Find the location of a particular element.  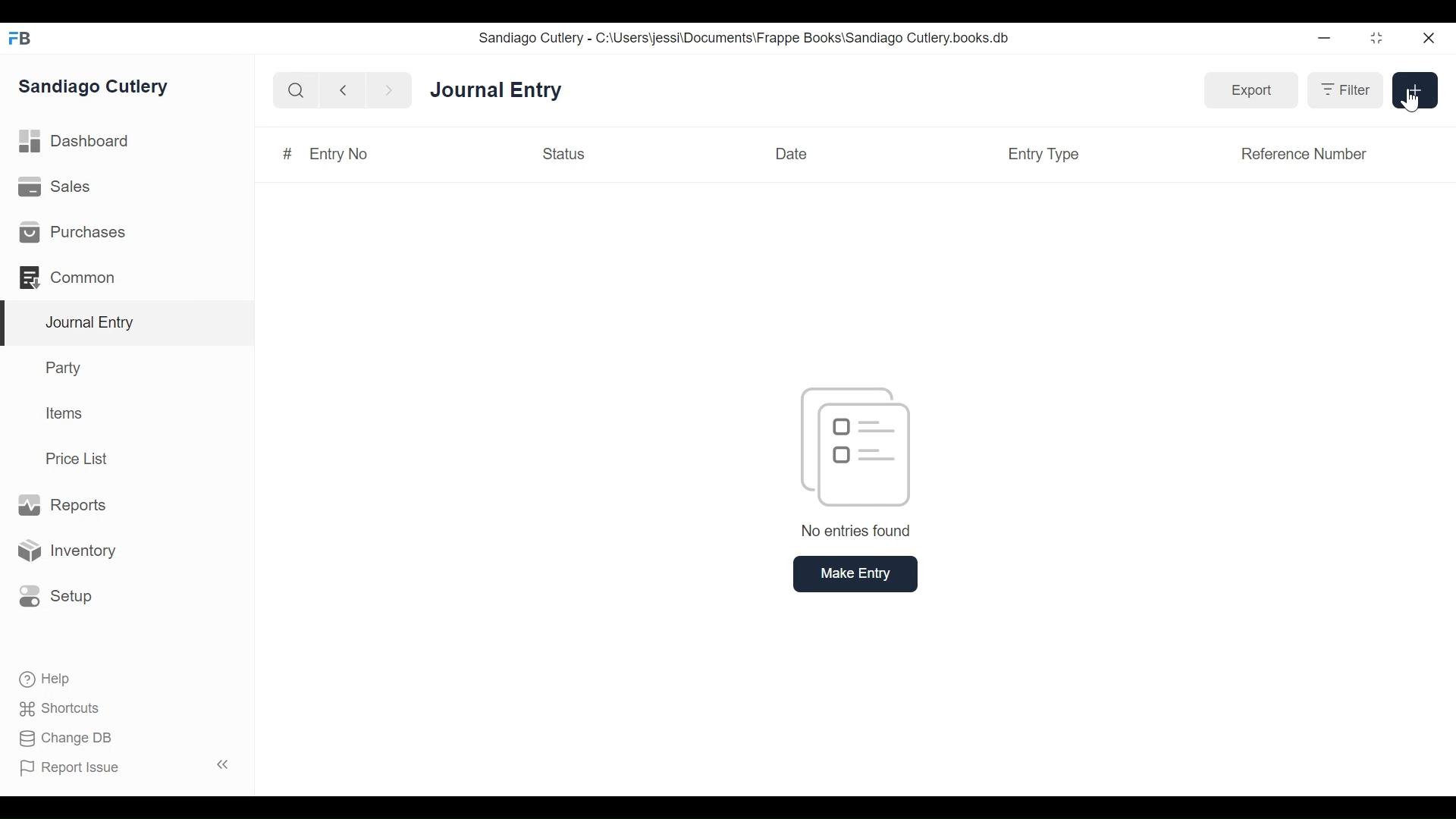

Entry Type is located at coordinates (1043, 156).